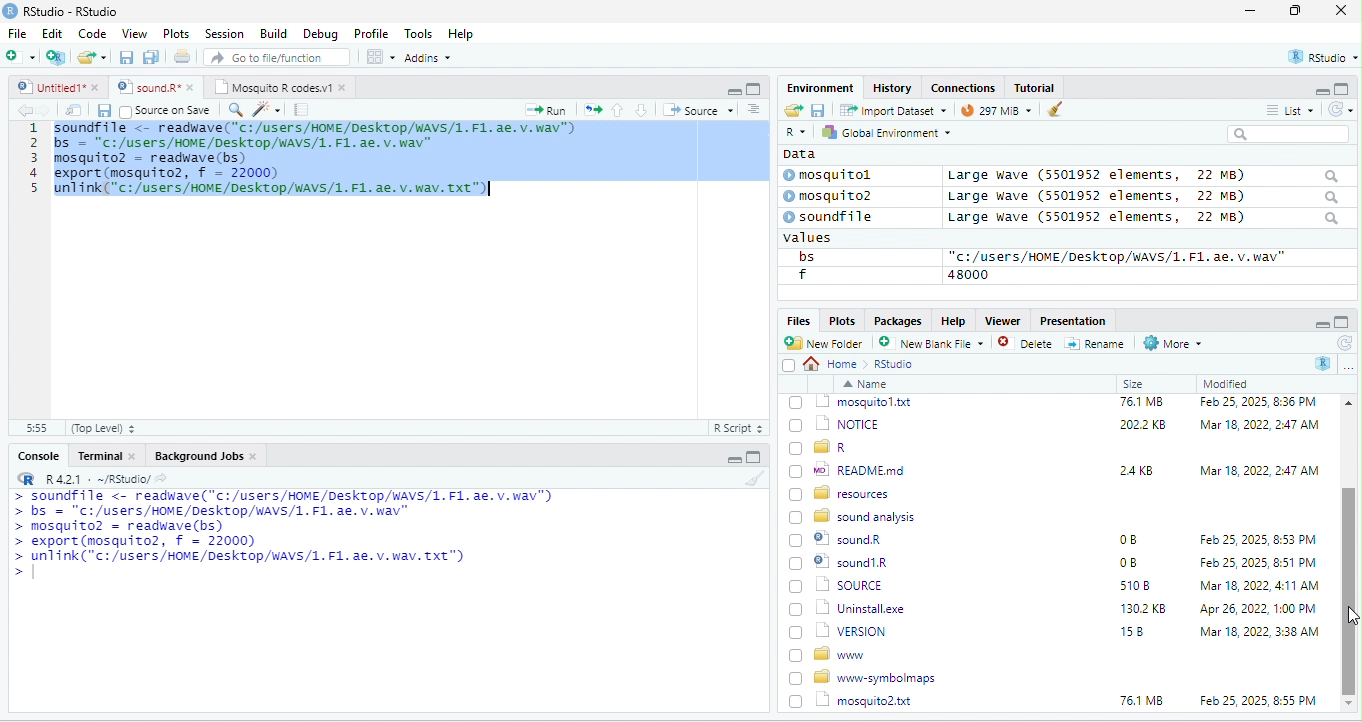 The height and width of the screenshot is (722, 1362). What do you see at coordinates (1286, 110) in the screenshot?
I see `= List ~` at bounding box center [1286, 110].